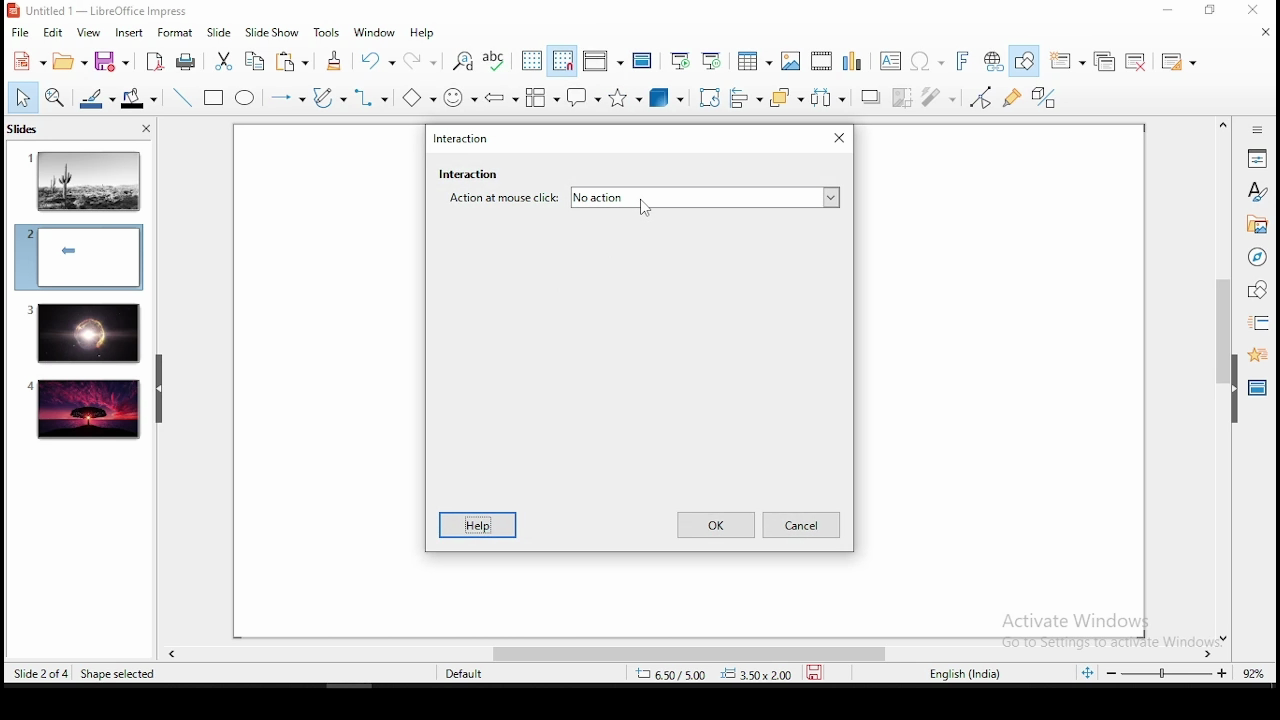 The height and width of the screenshot is (720, 1280). I want to click on text box, so click(890, 61).